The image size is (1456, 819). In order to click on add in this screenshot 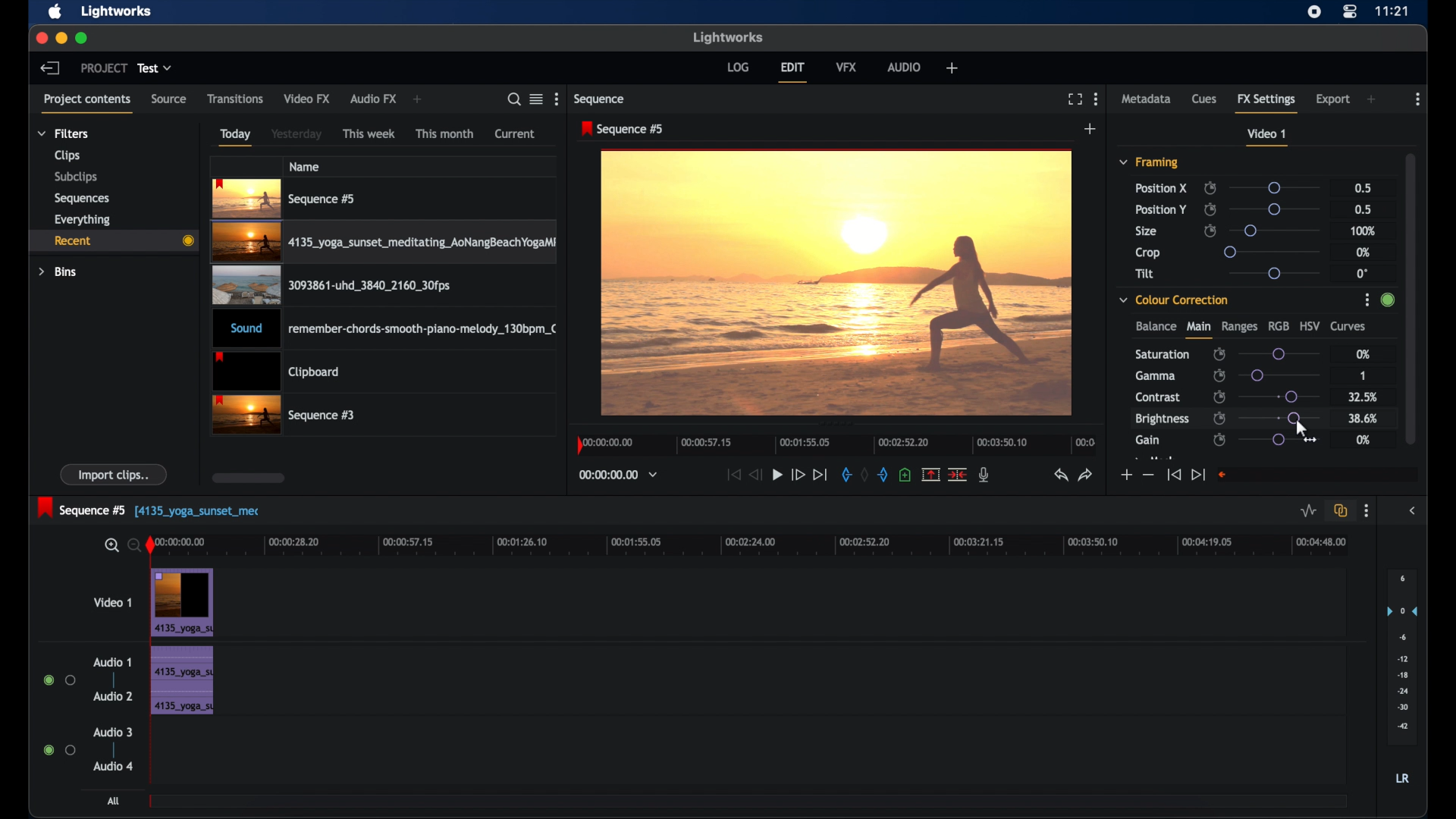, I will do `click(1373, 99)`.